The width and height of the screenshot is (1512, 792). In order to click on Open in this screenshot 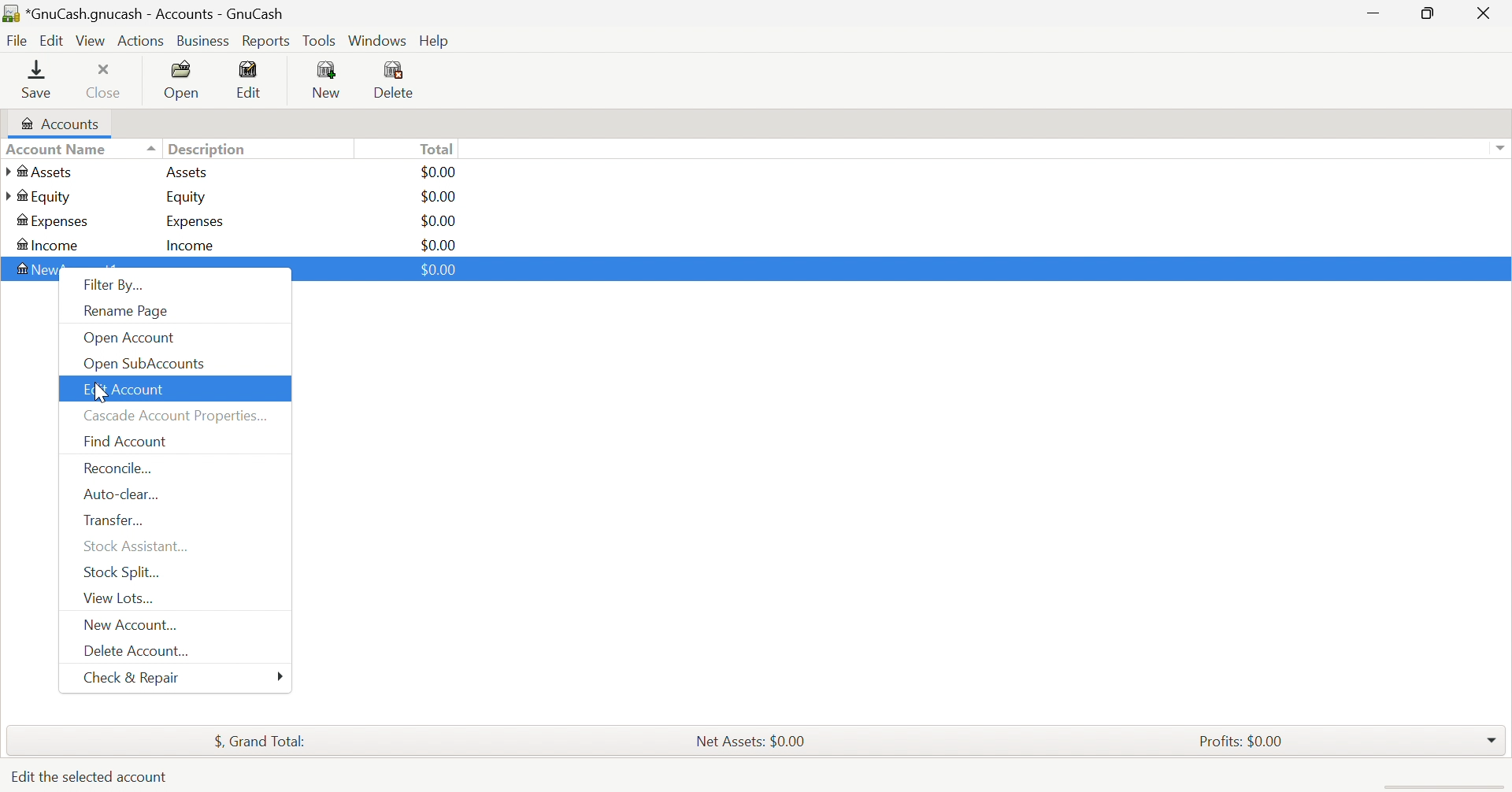, I will do `click(183, 80)`.